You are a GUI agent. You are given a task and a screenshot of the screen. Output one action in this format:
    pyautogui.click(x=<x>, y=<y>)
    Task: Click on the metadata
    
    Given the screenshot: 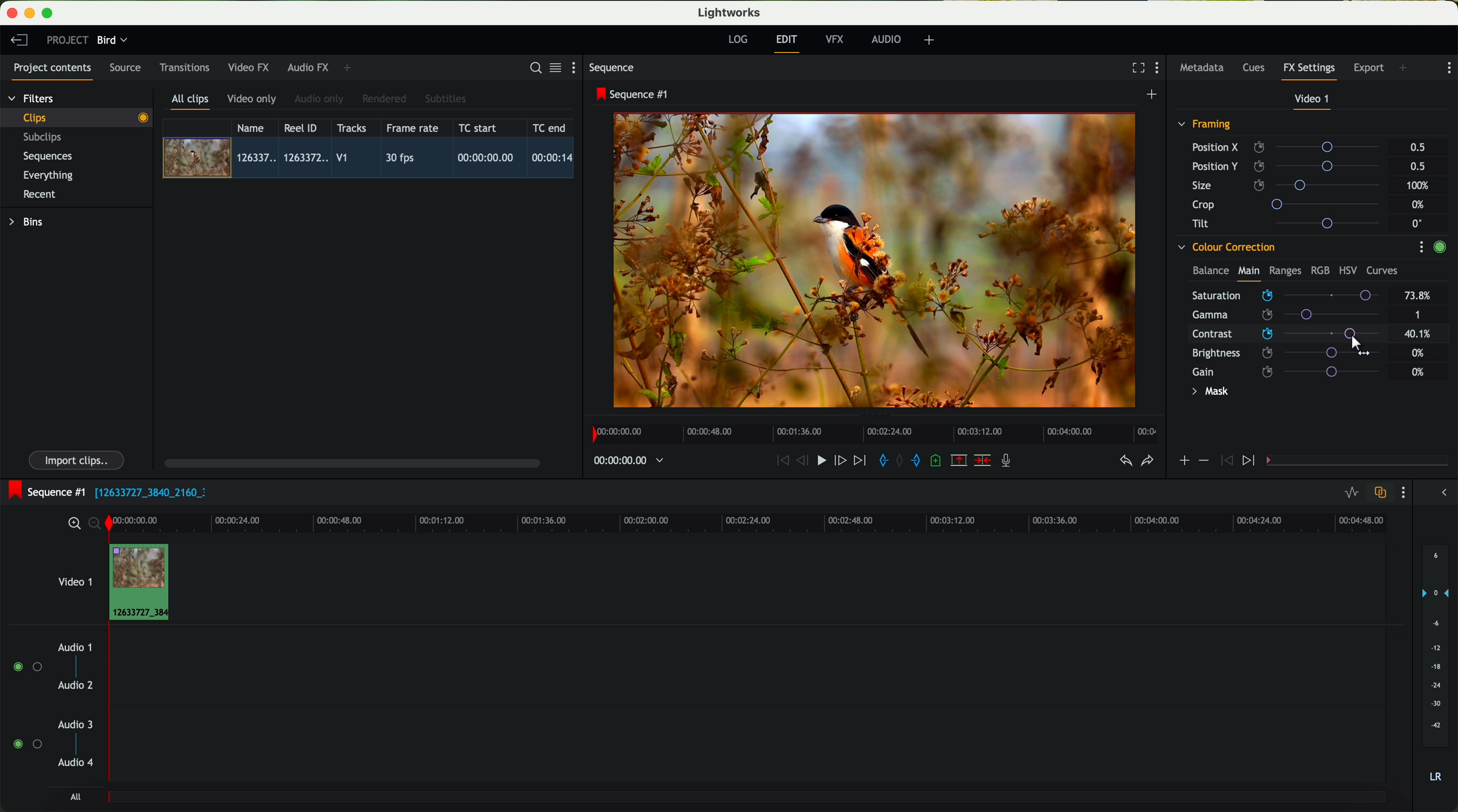 What is the action you would take?
    pyautogui.click(x=1204, y=68)
    